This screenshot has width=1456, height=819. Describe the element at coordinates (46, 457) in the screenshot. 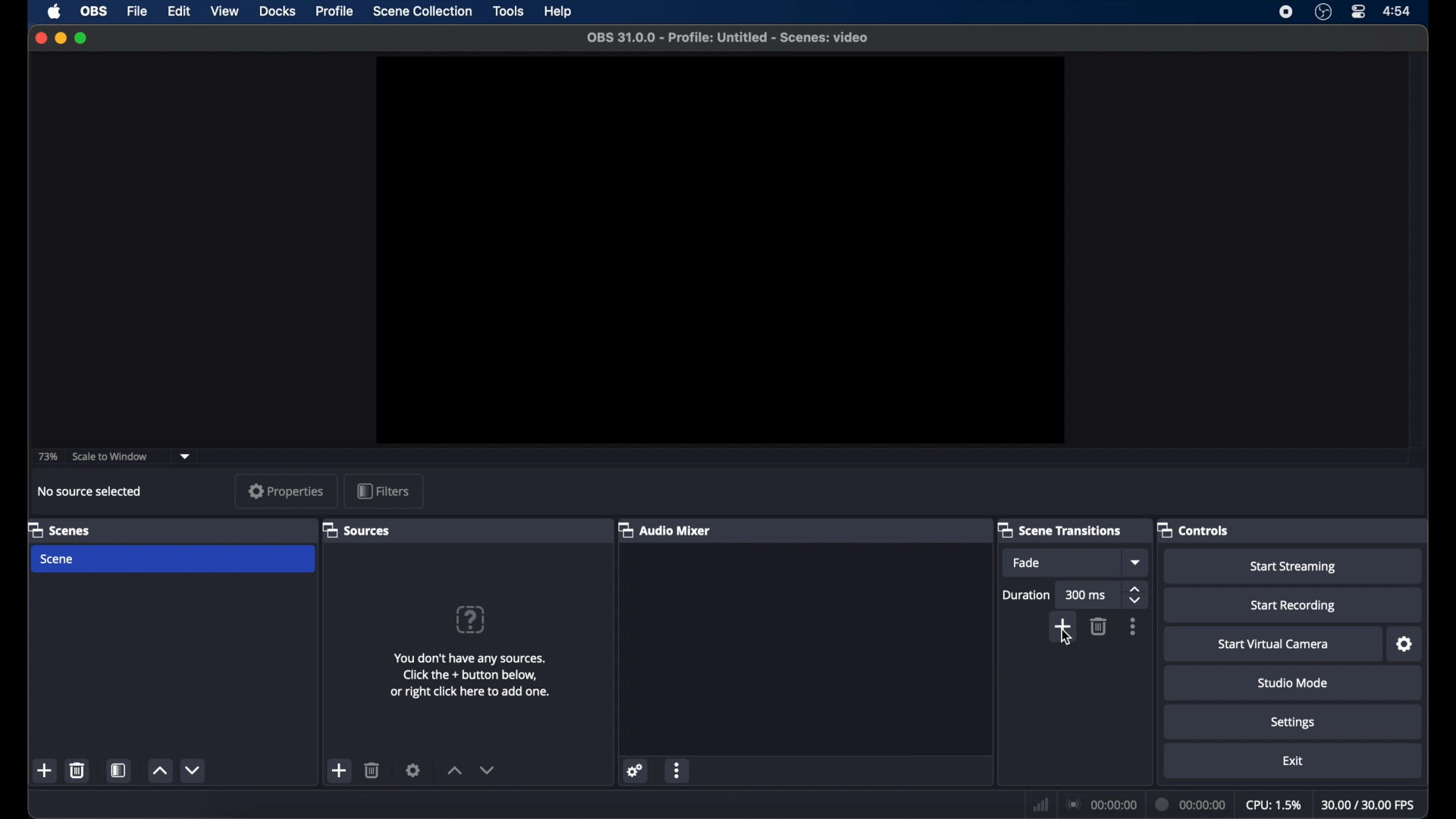

I see `73%` at that location.